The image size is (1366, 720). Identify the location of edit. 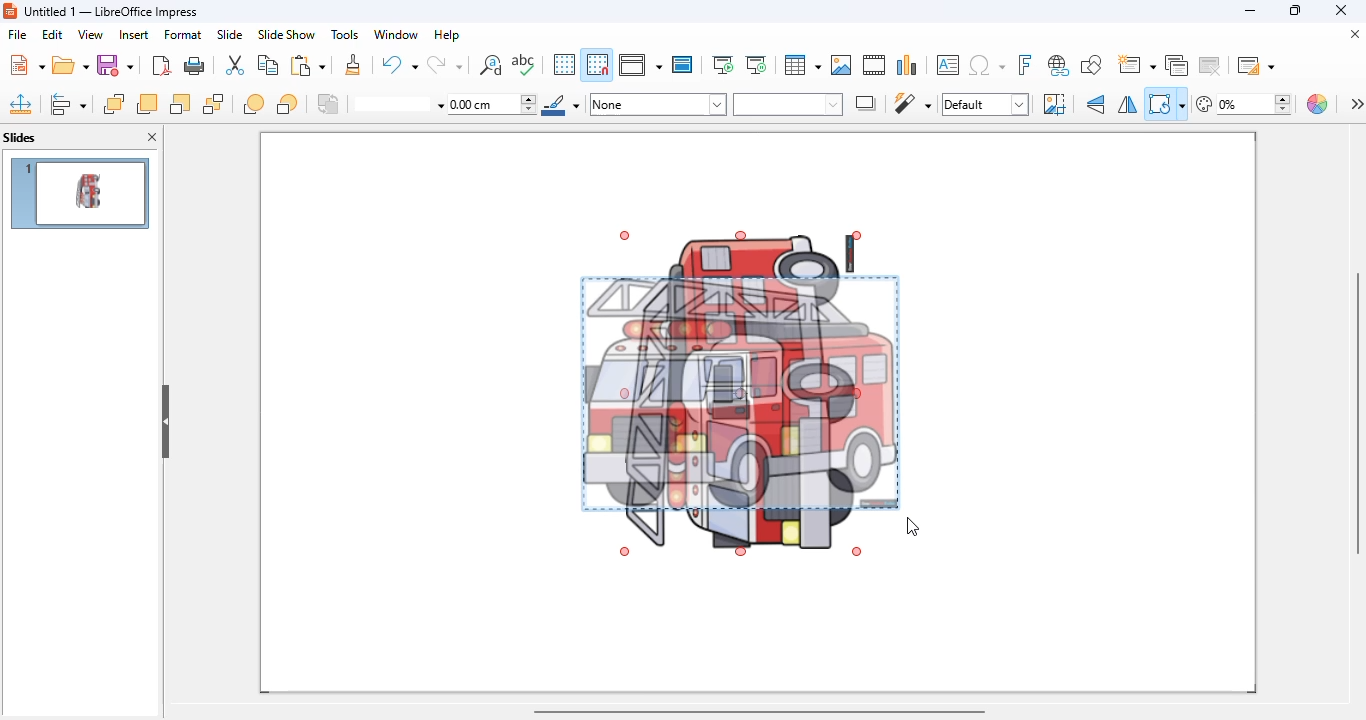
(52, 34).